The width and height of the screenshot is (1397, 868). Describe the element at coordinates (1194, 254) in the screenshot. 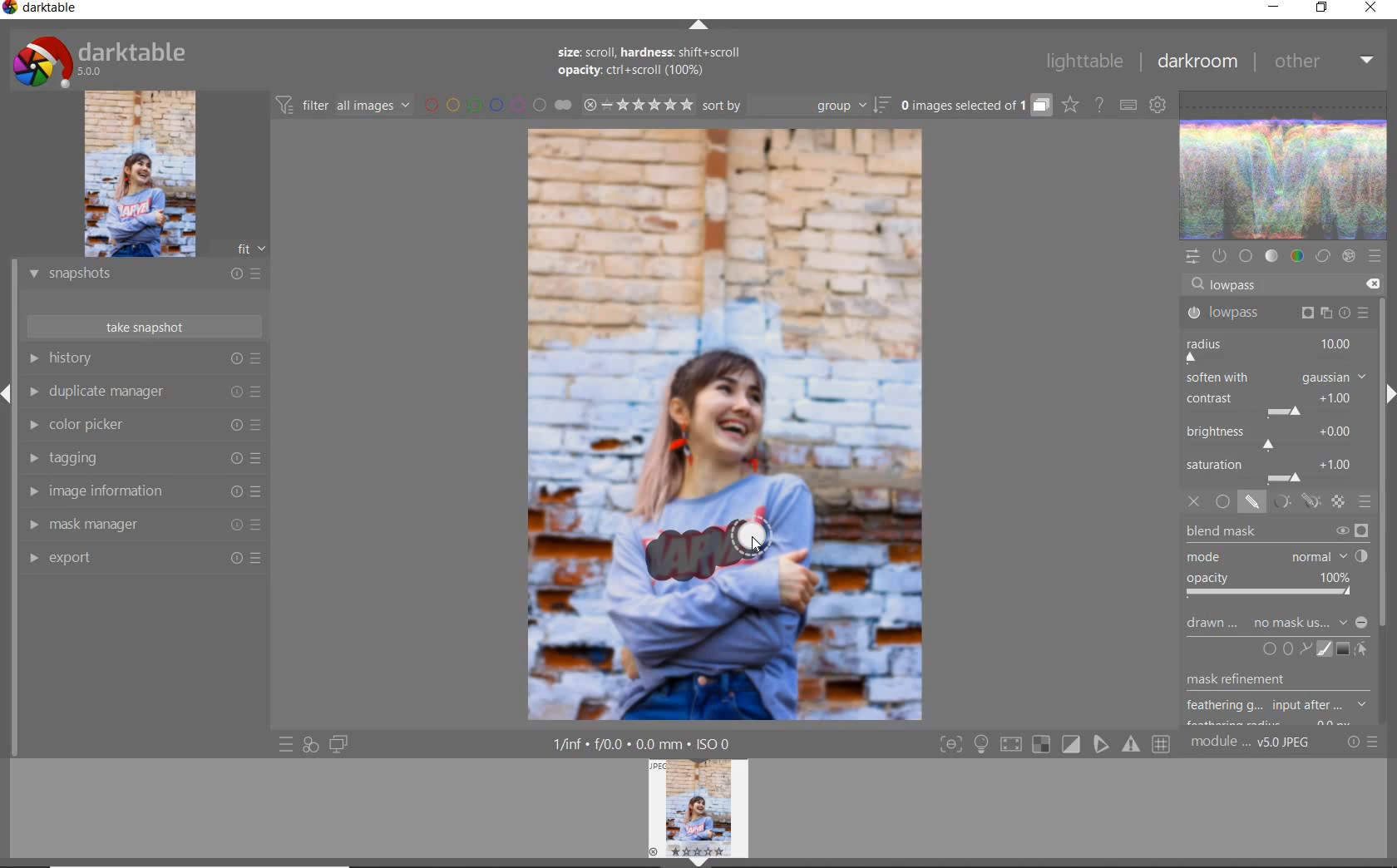

I see `quick access panel` at that location.